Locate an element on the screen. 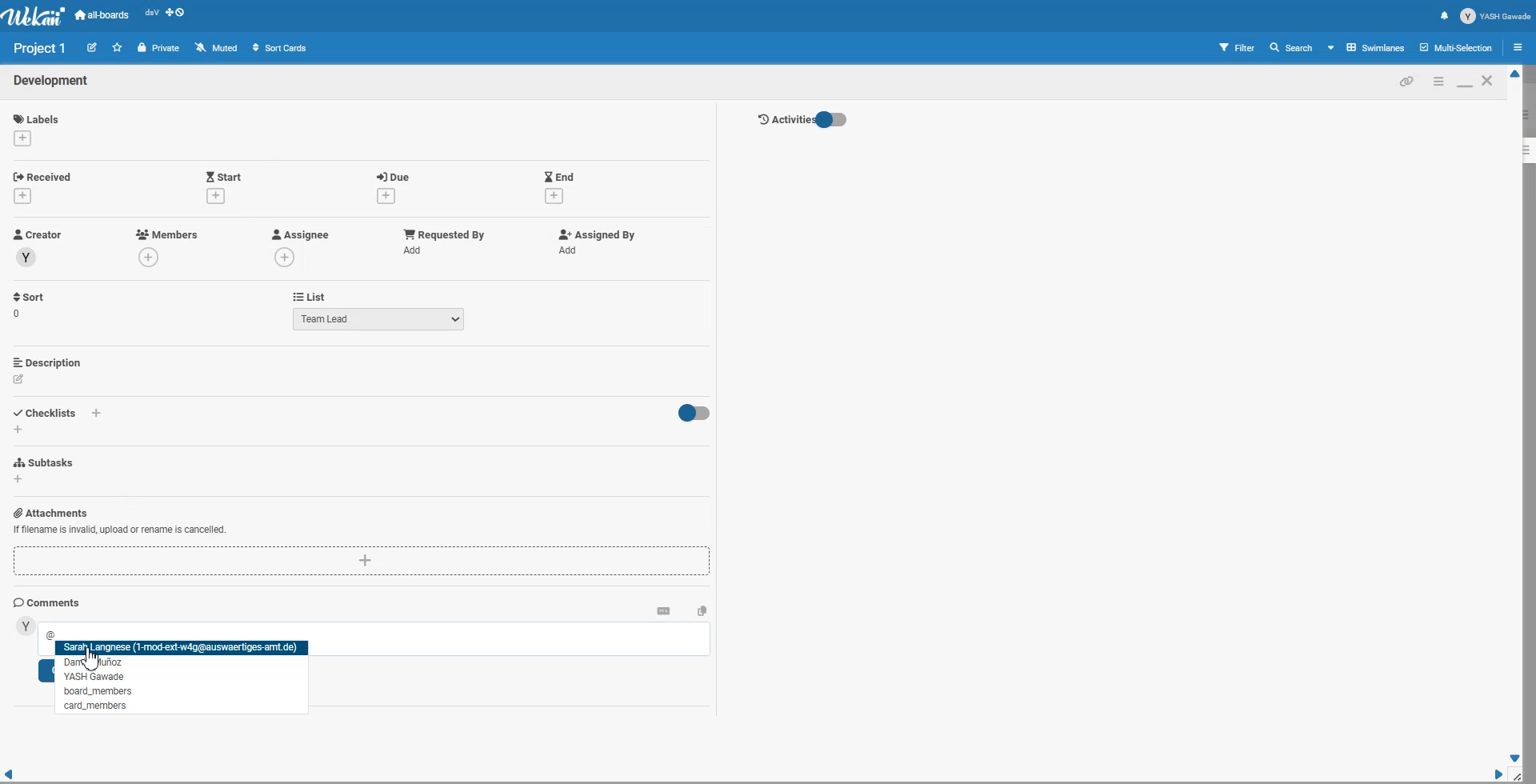  Open sidebar is located at coordinates (1521, 46).